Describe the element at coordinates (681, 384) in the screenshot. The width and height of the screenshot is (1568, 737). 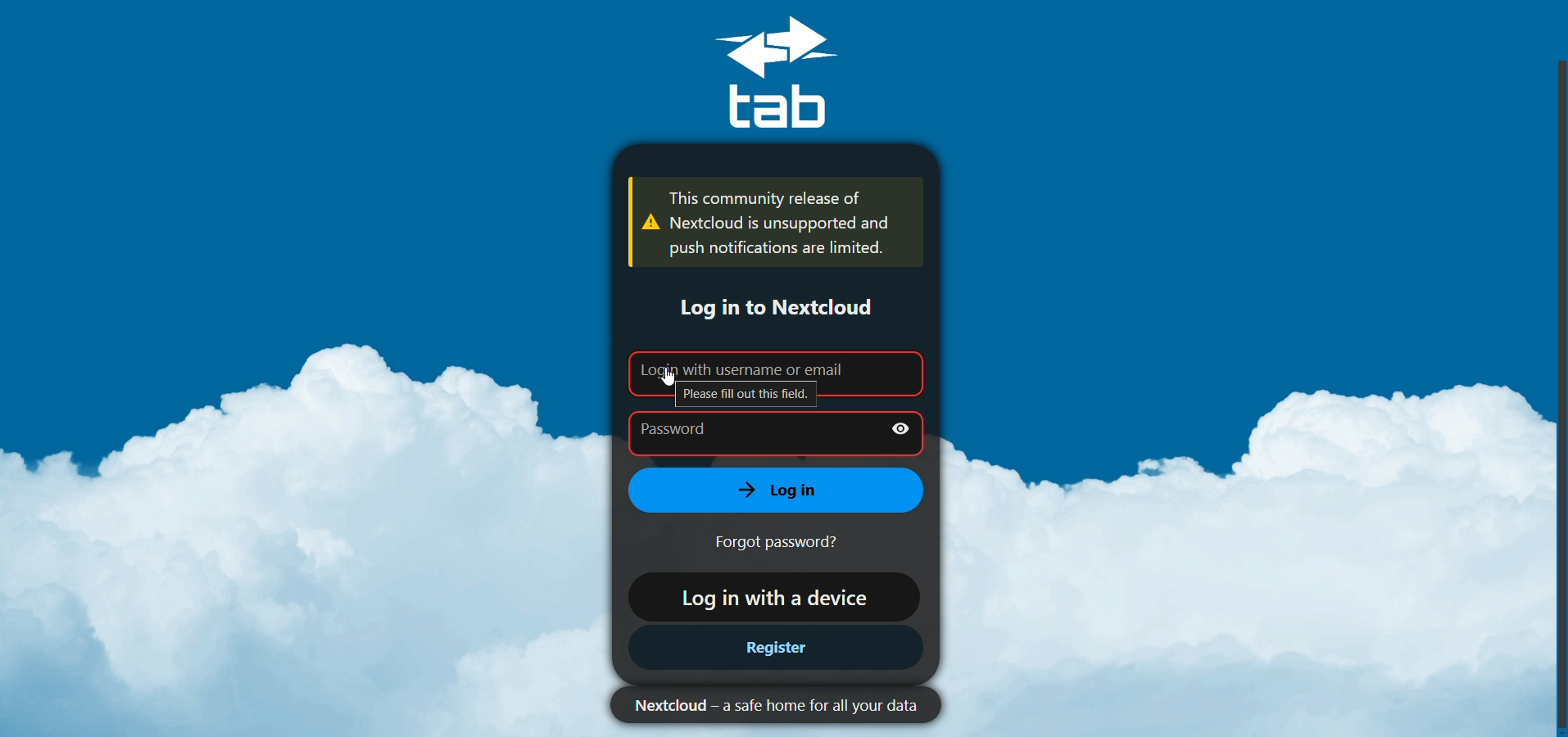
I see `Mouse pointer` at that location.